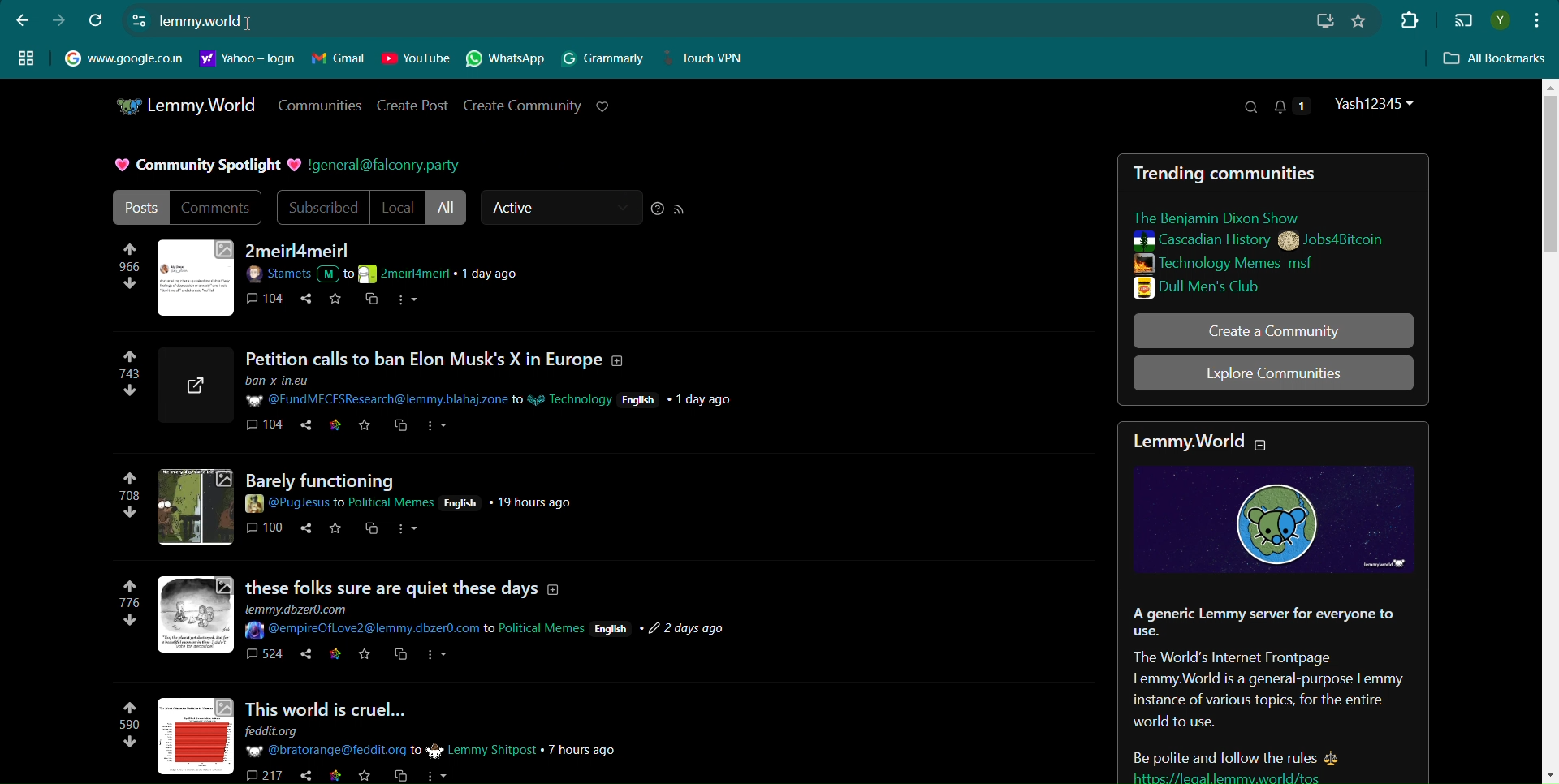  I want to click on star, so click(334, 777).